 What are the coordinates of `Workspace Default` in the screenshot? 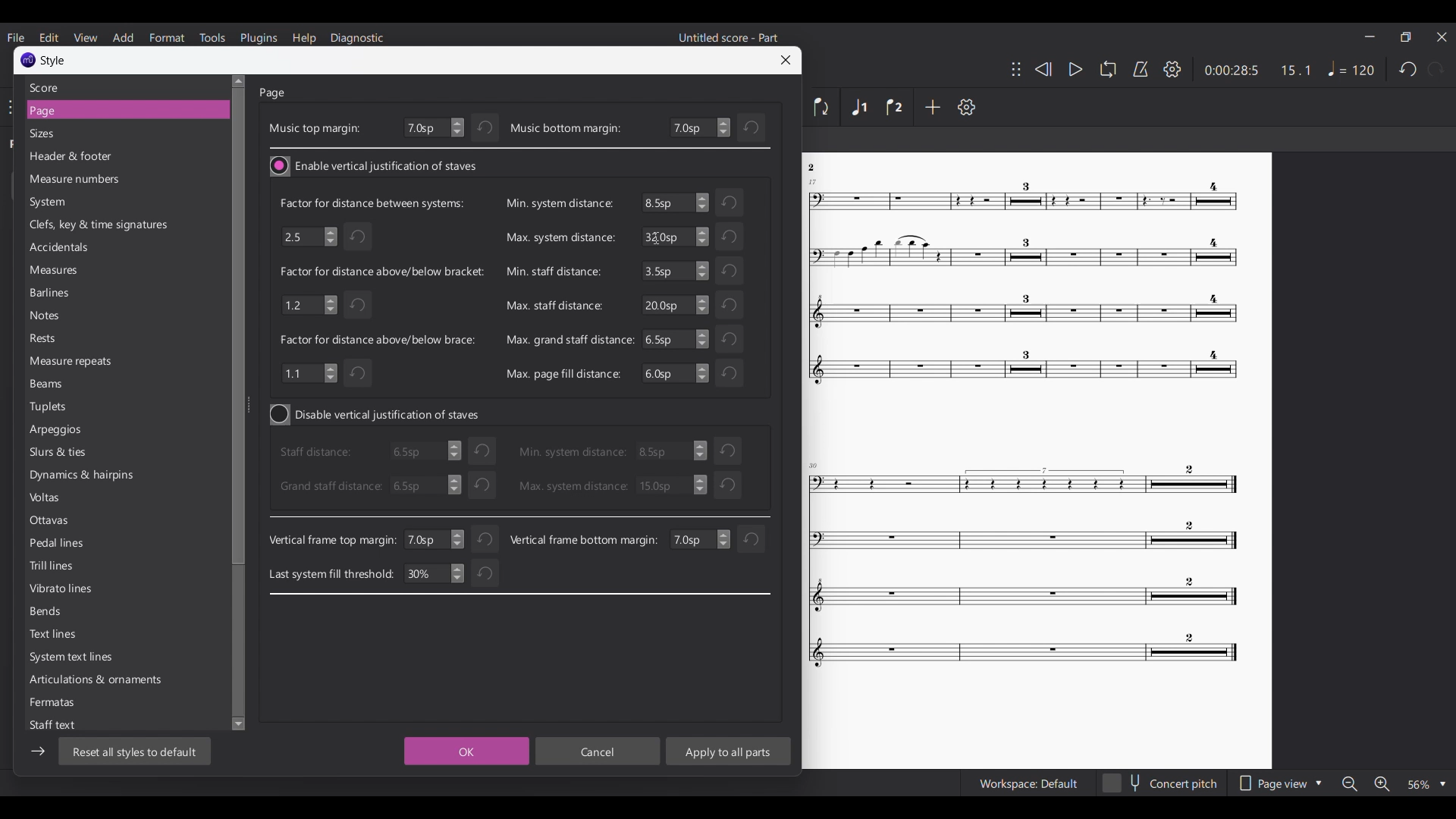 It's located at (1028, 784).